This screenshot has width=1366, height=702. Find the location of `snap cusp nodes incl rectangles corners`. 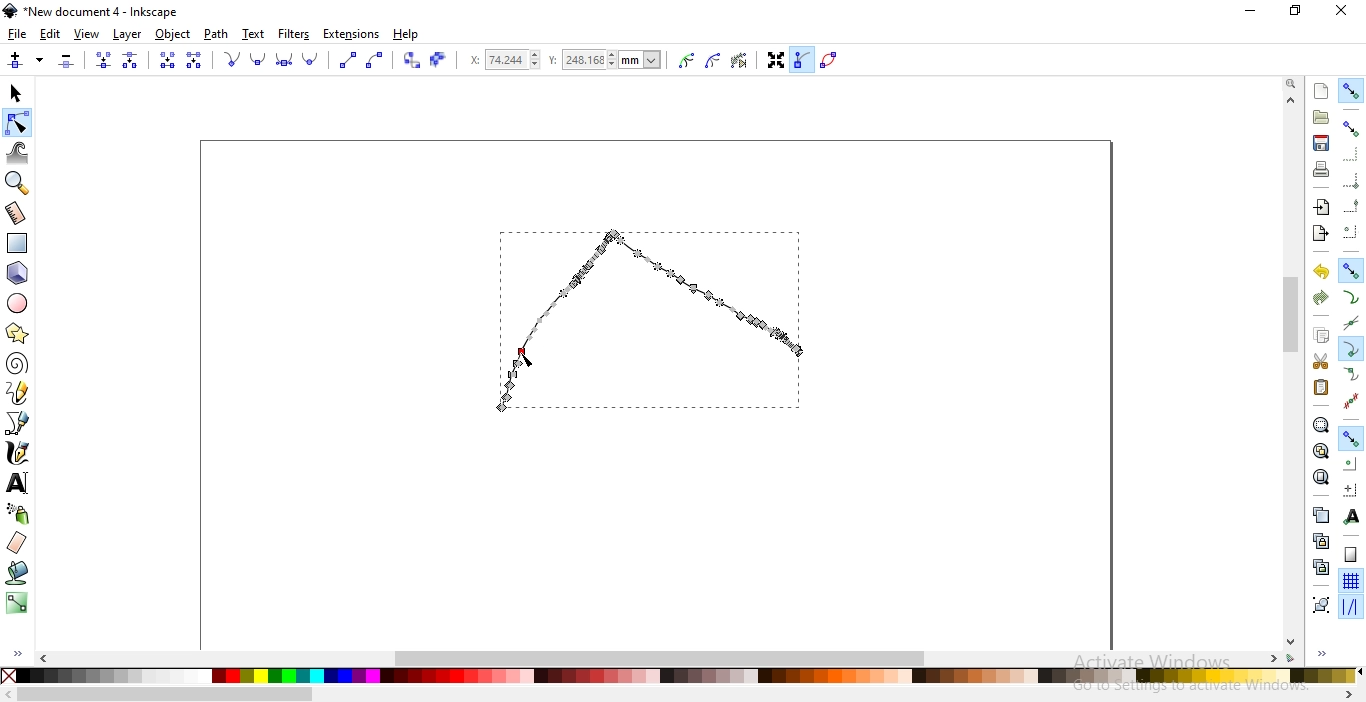

snap cusp nodes incl rectangles corners is located at coordinates (1350, 349).